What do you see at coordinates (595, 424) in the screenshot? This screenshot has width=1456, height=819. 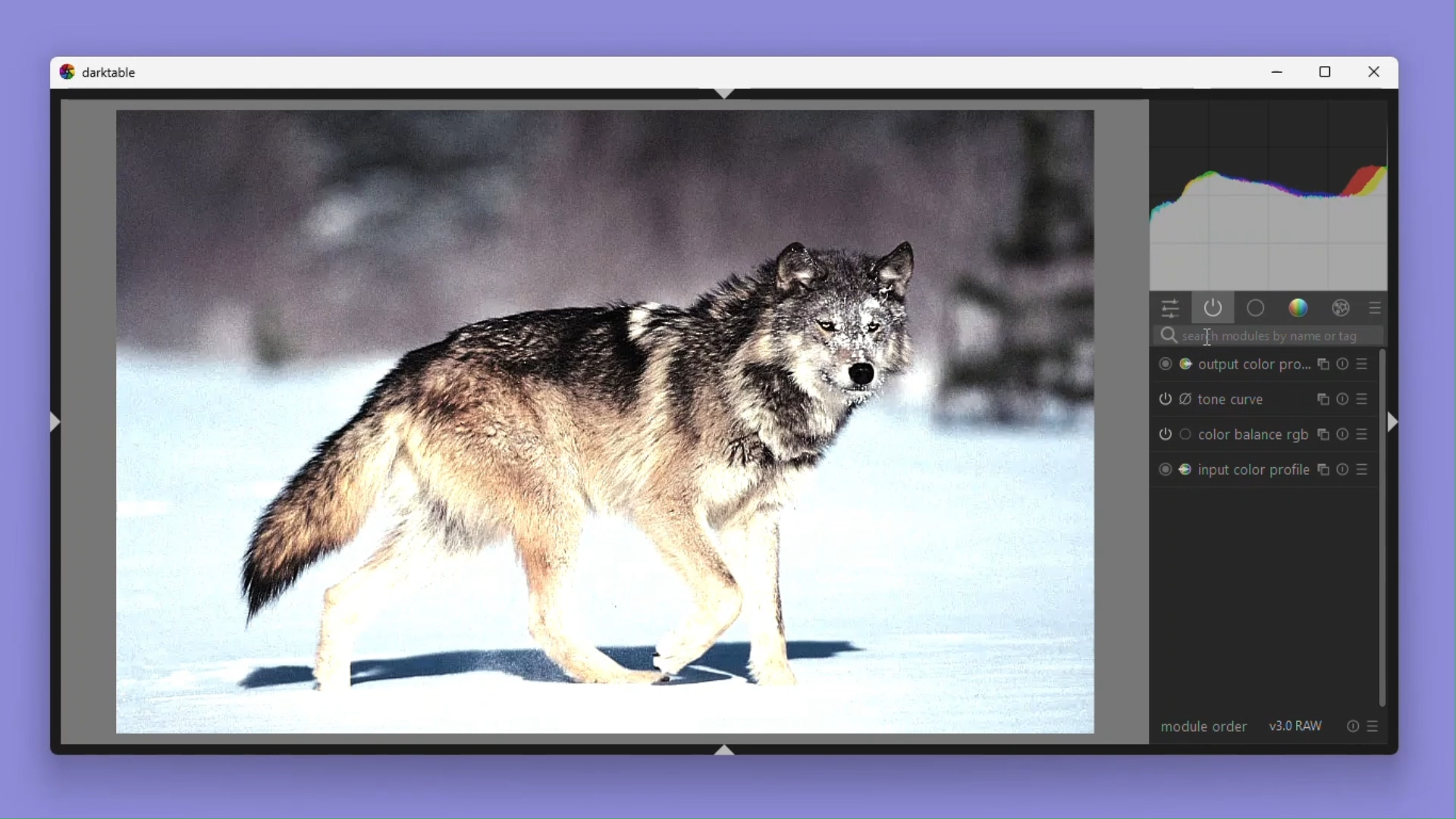 I see `Image` at bounding box center [595, 424].